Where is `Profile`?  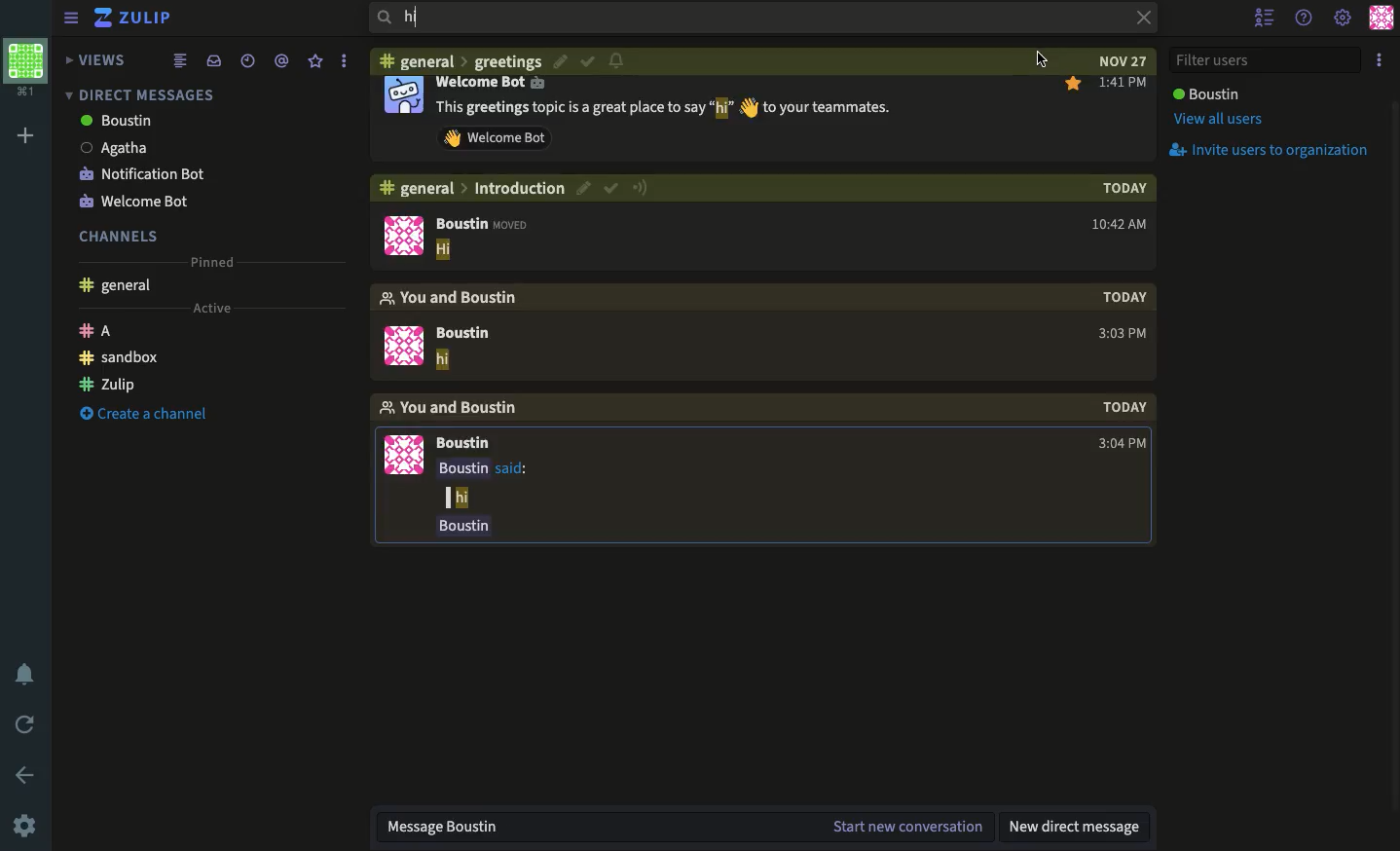 Profile is located at coordinates (26, 69).